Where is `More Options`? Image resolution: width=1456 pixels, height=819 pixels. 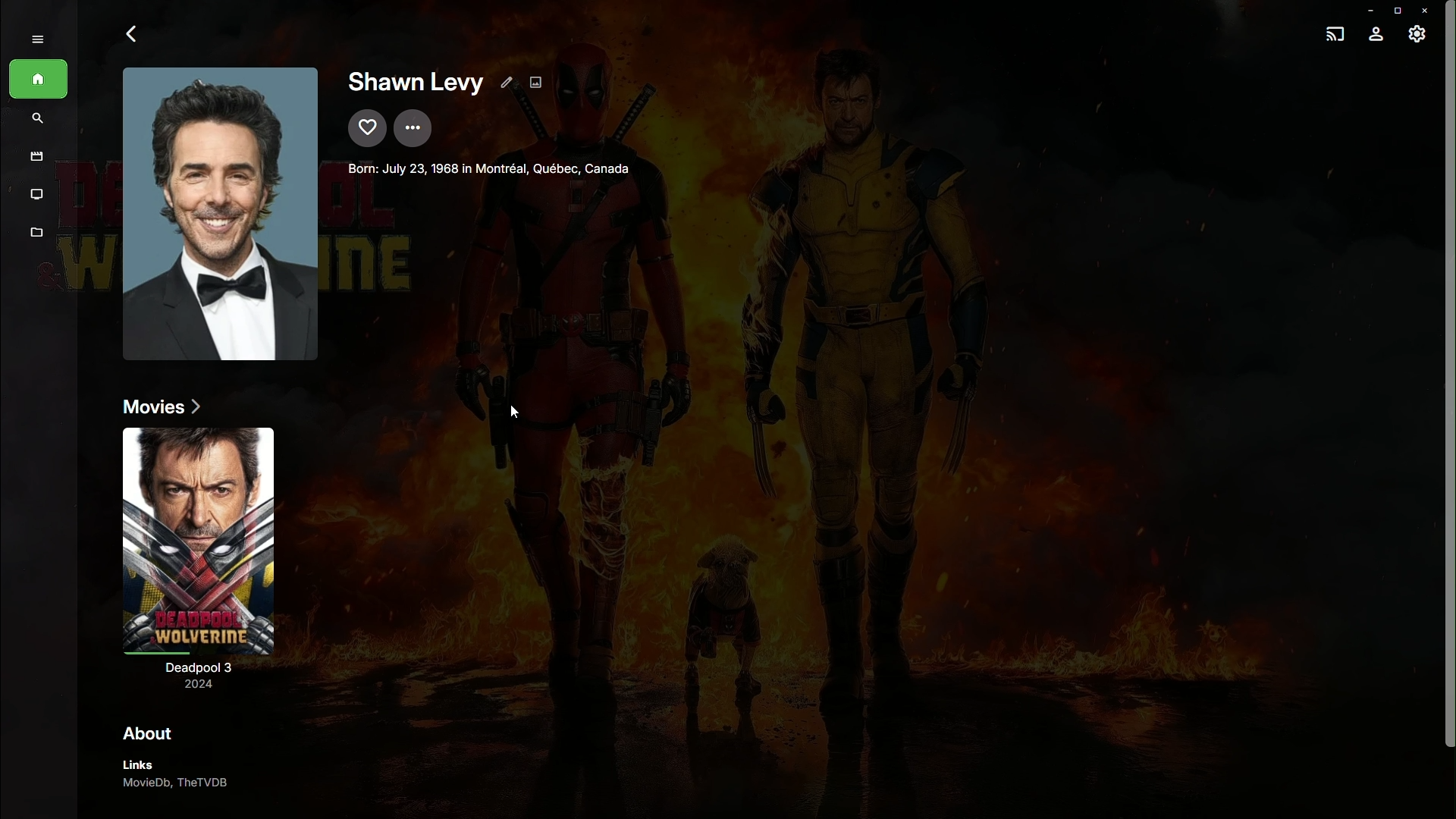
More Options is located at coordinates (416, 128).